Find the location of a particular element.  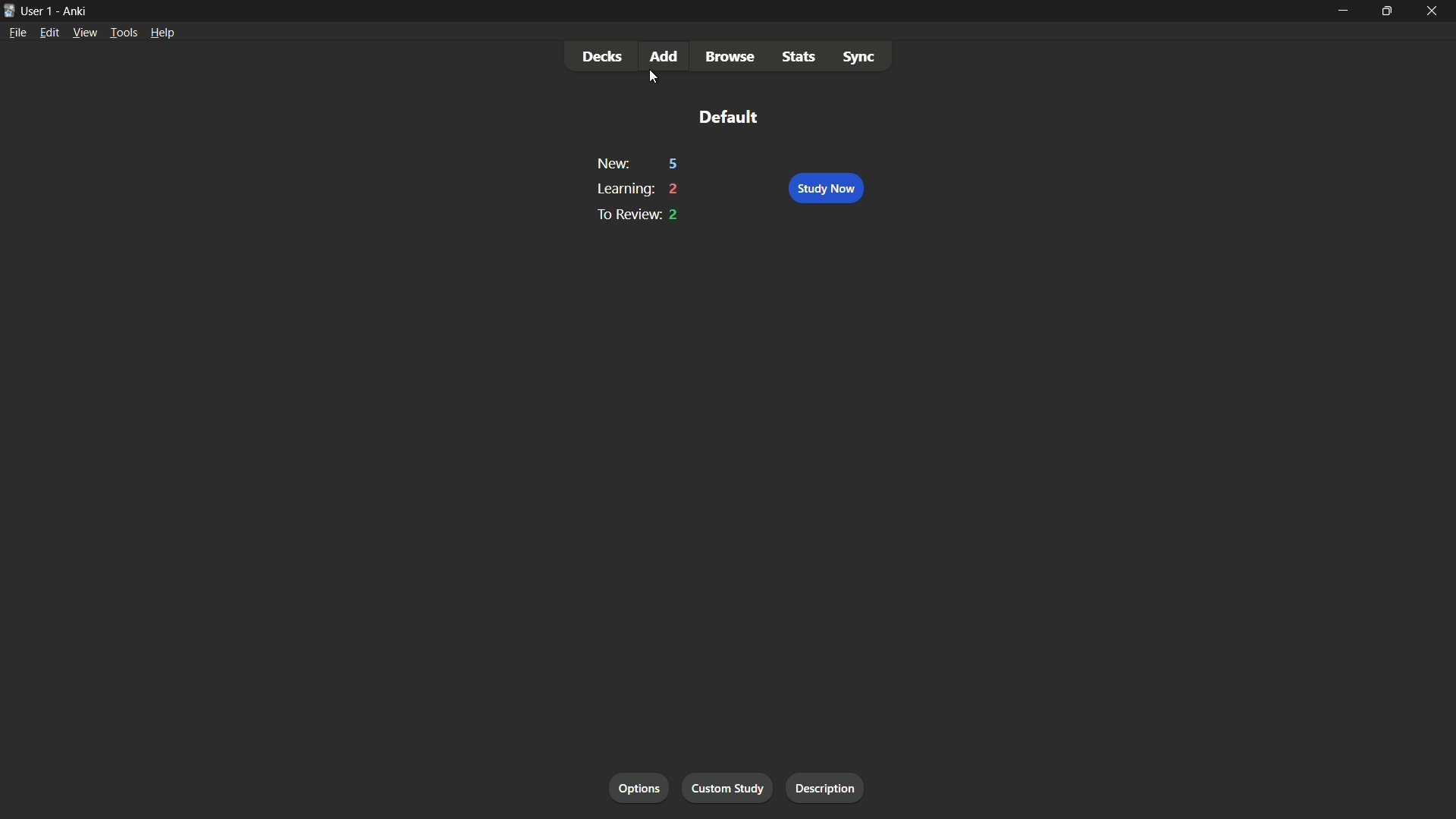

study now is located at coordinates (827, 188).